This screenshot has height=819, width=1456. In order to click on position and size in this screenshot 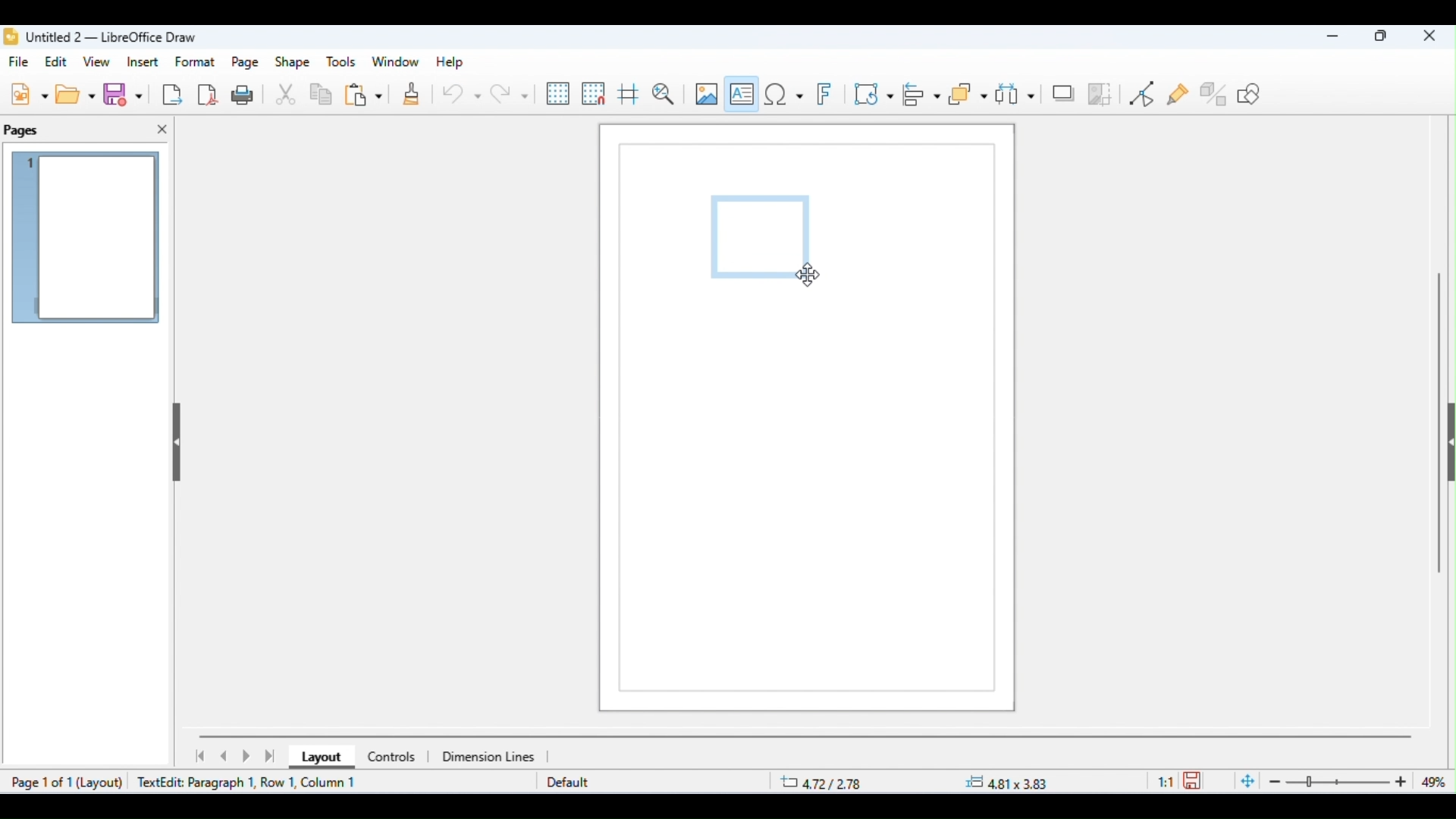, I will do `click(916, 783)`.